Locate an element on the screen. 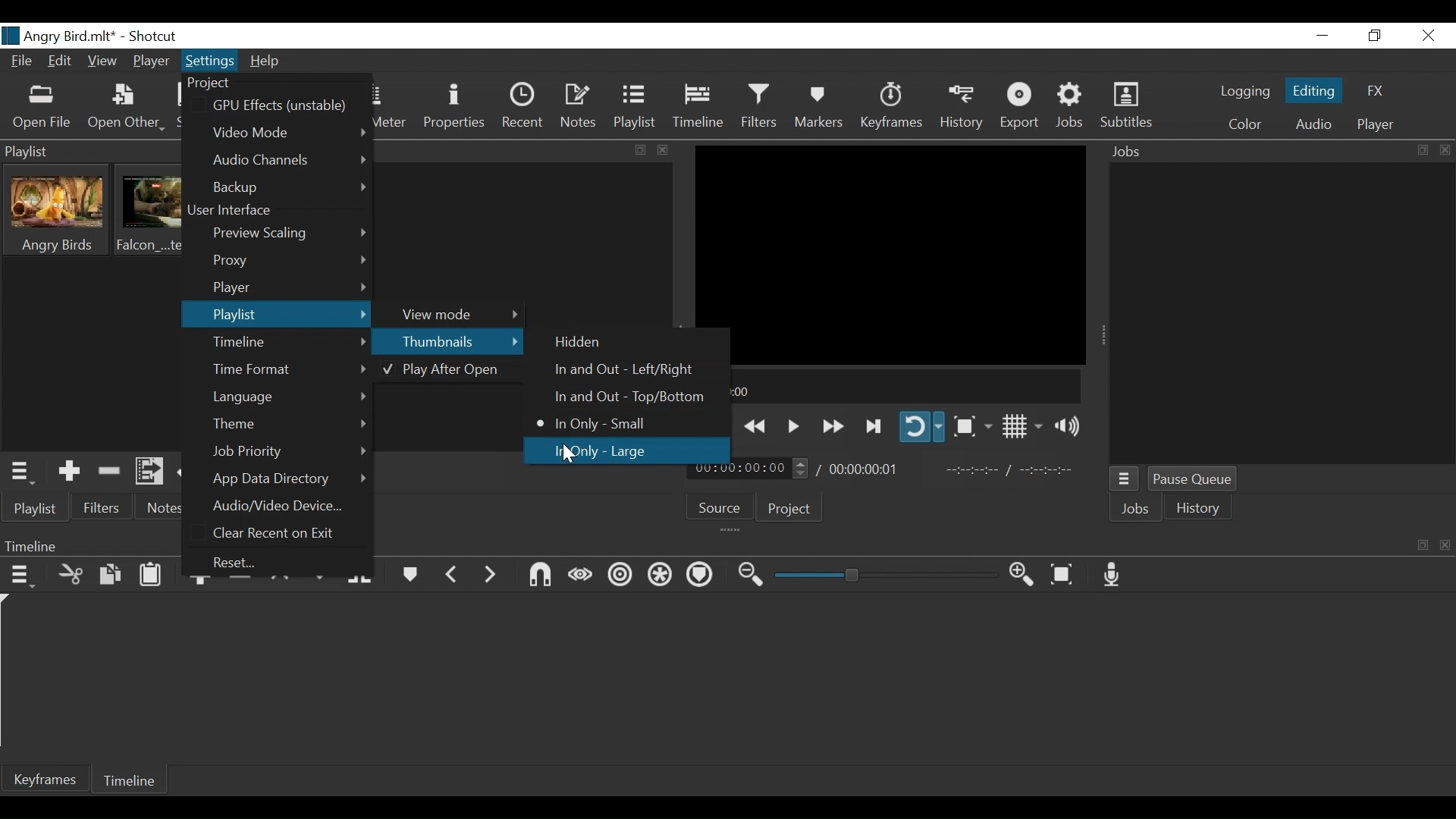 This screenshot has height=819, width=1456. Help is located at coordinates (266, 63).